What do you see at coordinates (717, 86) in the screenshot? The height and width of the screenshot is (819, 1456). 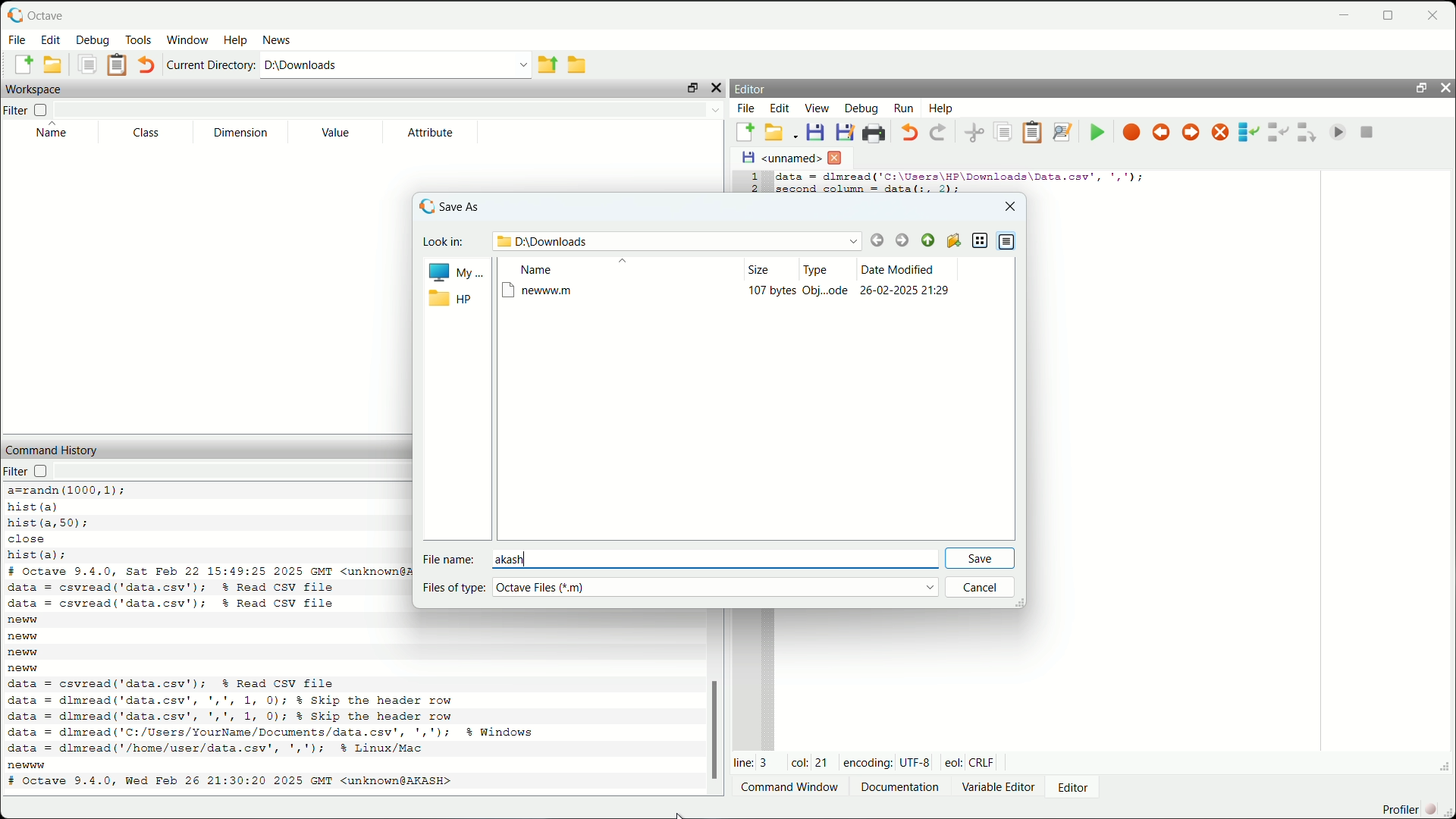 I see `hide widget` at bounding box center [717, 86].